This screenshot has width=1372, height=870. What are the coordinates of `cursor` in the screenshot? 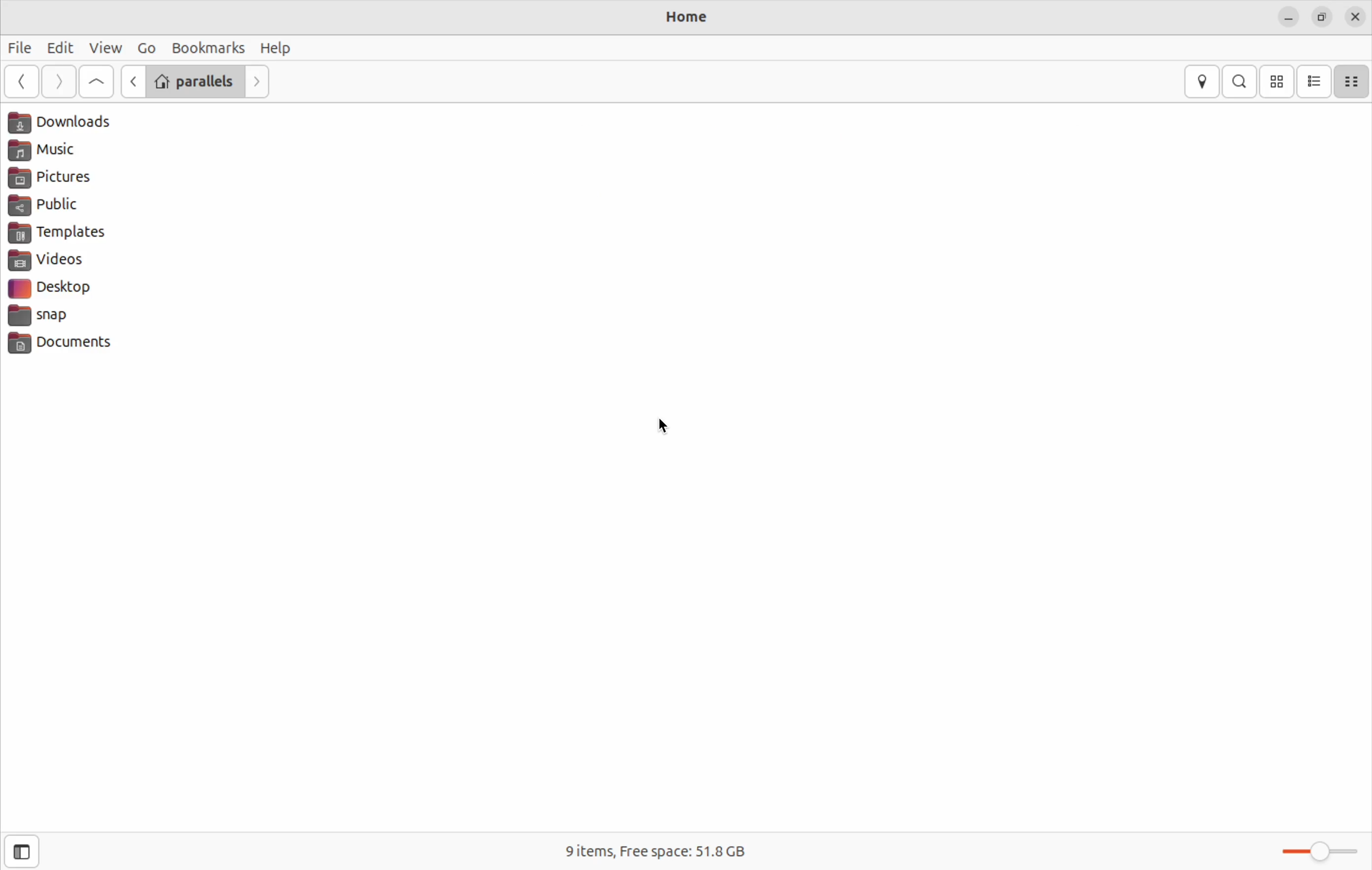 It's located at (667, 427).